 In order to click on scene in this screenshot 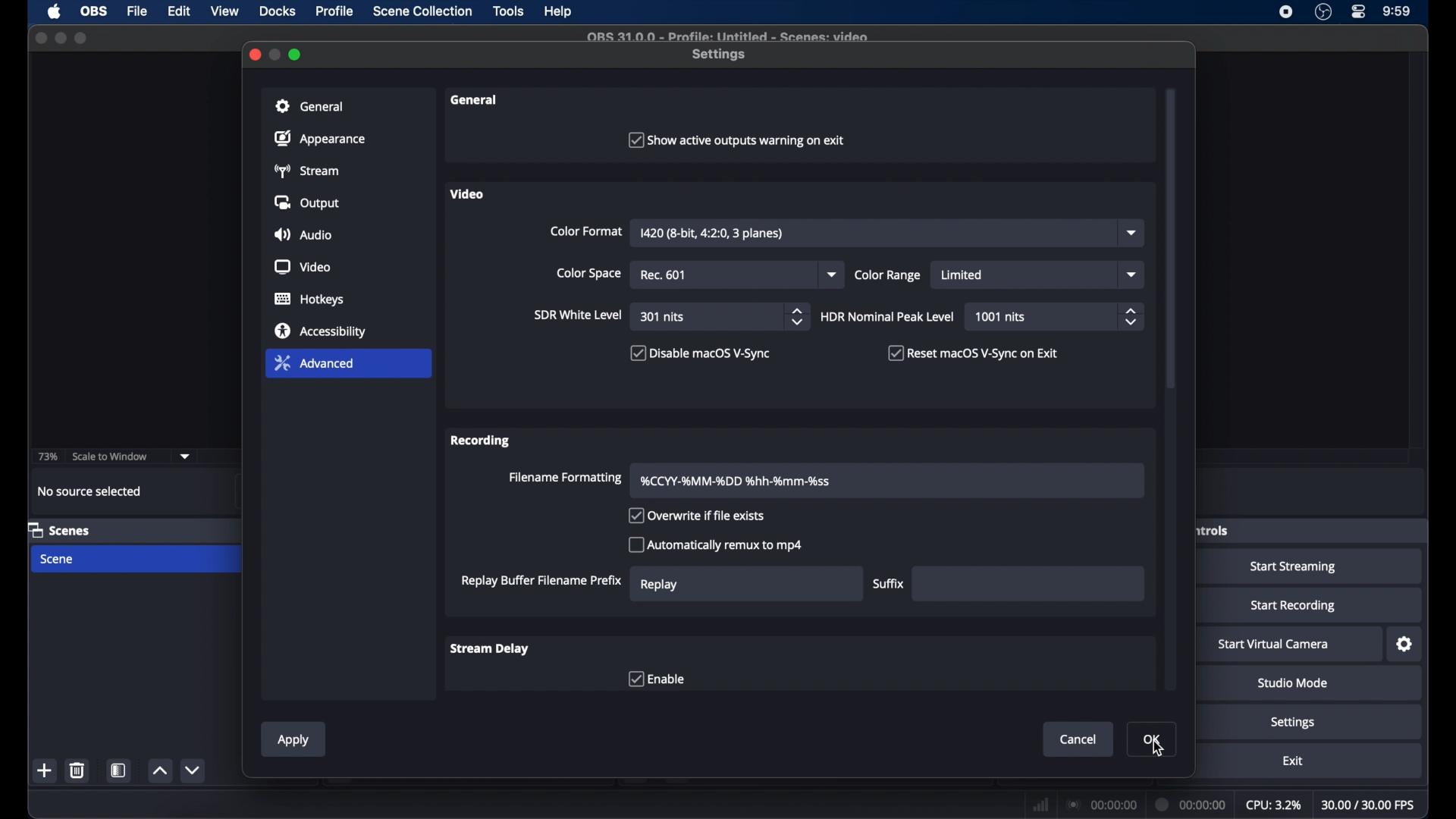, I will do `click(58, 559)`.